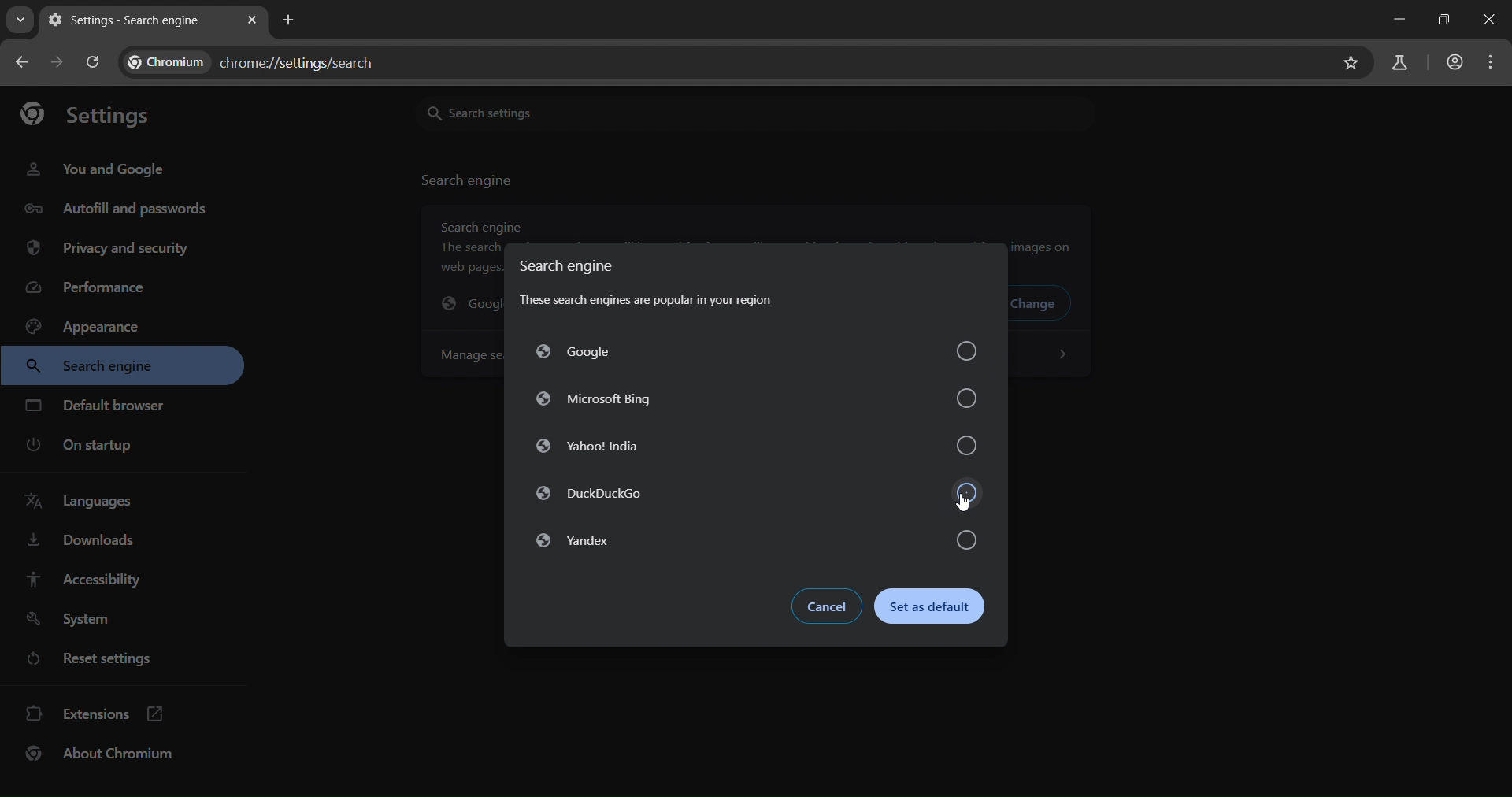  What do you see at coordinates (756, 395) in the screenshot?
I see `microsoft bing` at bounding box center [756, 395].